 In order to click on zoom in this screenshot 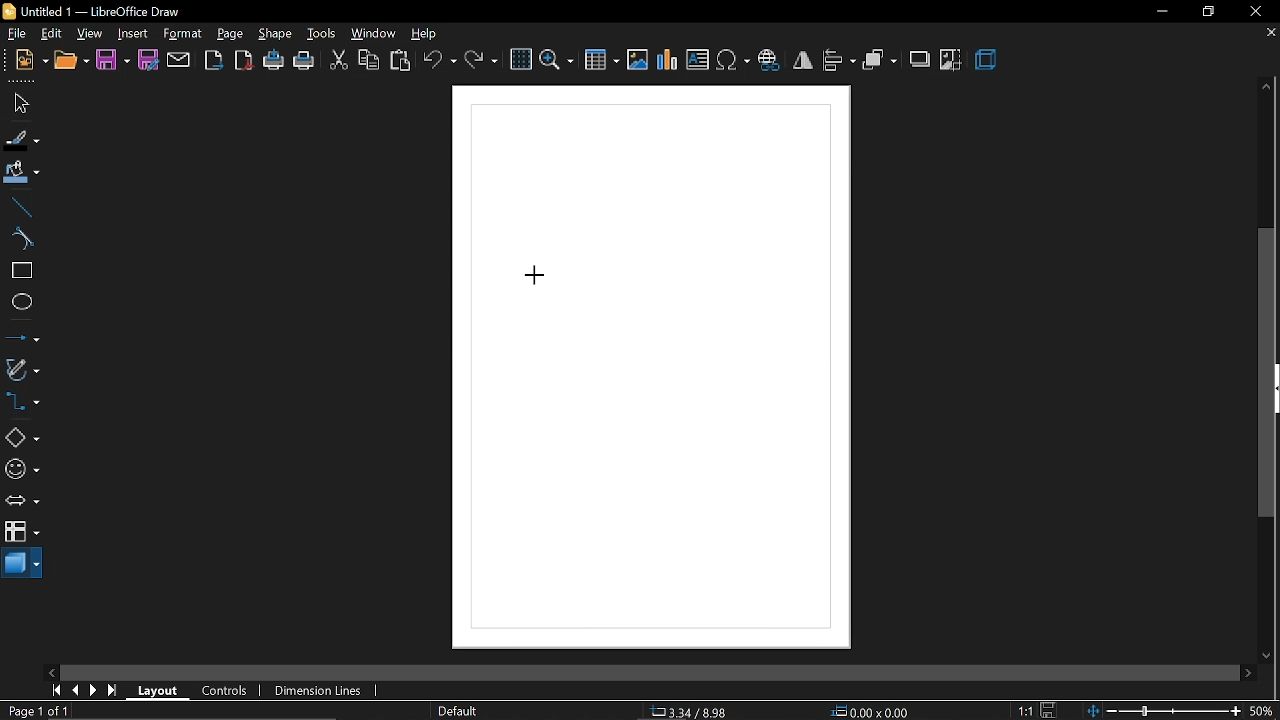, I will do `click(556, 61)`.